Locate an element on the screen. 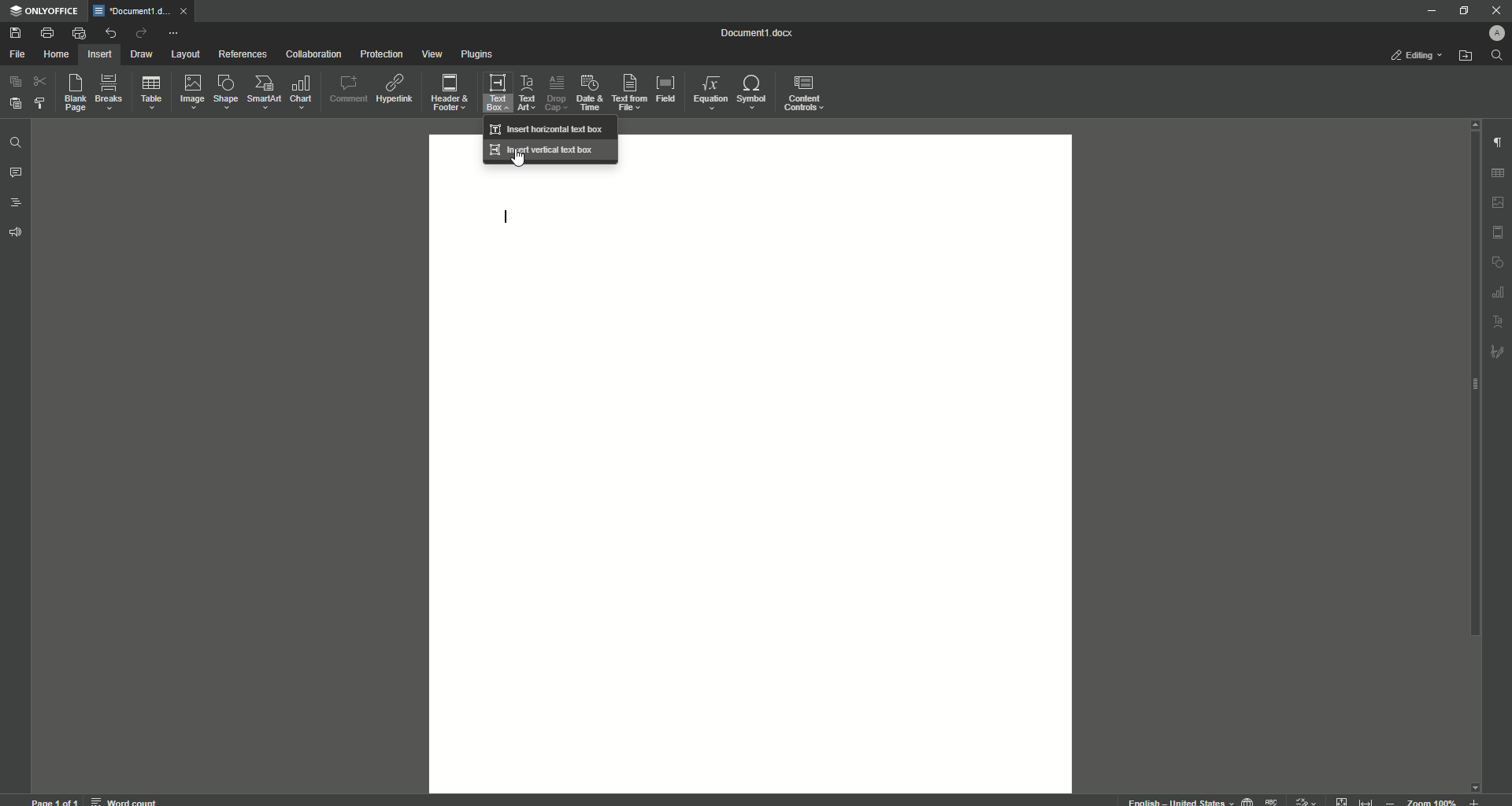 Image resolution: width=1512 pixels, height=806 pixels. Find is located at coordinates (15, 144).